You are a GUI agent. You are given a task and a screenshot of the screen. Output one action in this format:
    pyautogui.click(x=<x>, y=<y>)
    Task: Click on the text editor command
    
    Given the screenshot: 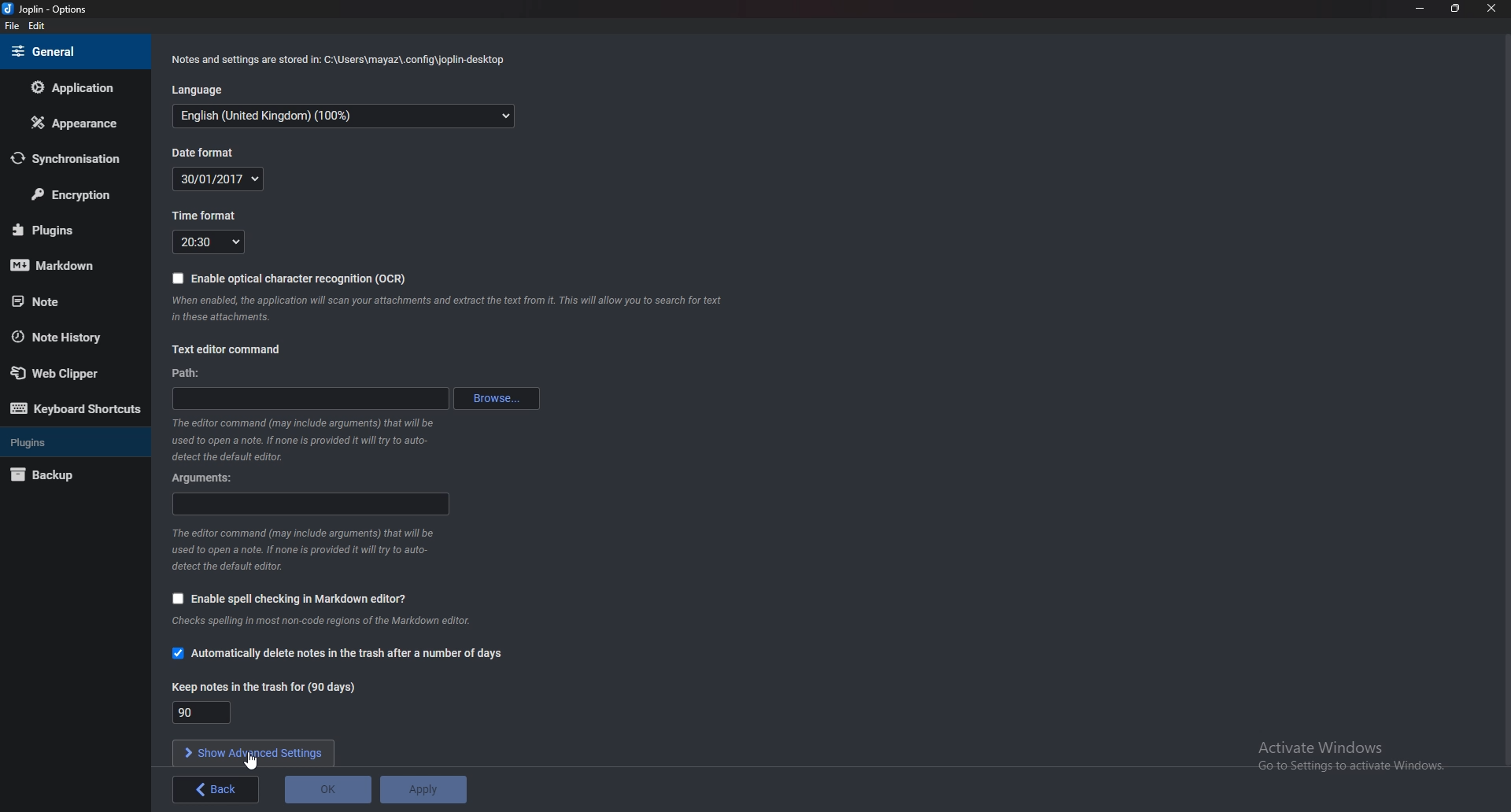 What is the action you would take?
    pyautogui.click(x=230, y=349)
    